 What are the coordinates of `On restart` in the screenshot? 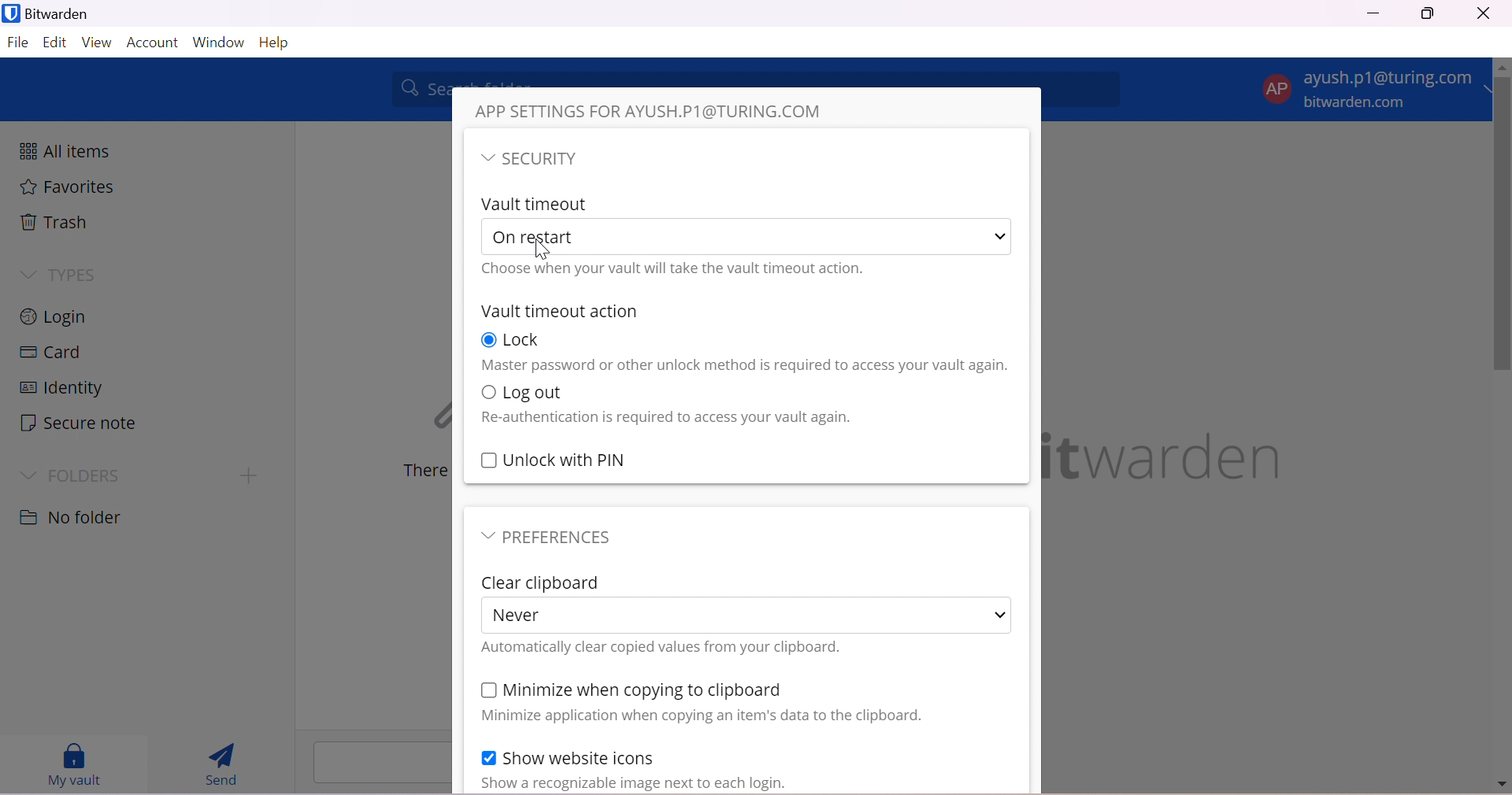 It's located at (533, 238).